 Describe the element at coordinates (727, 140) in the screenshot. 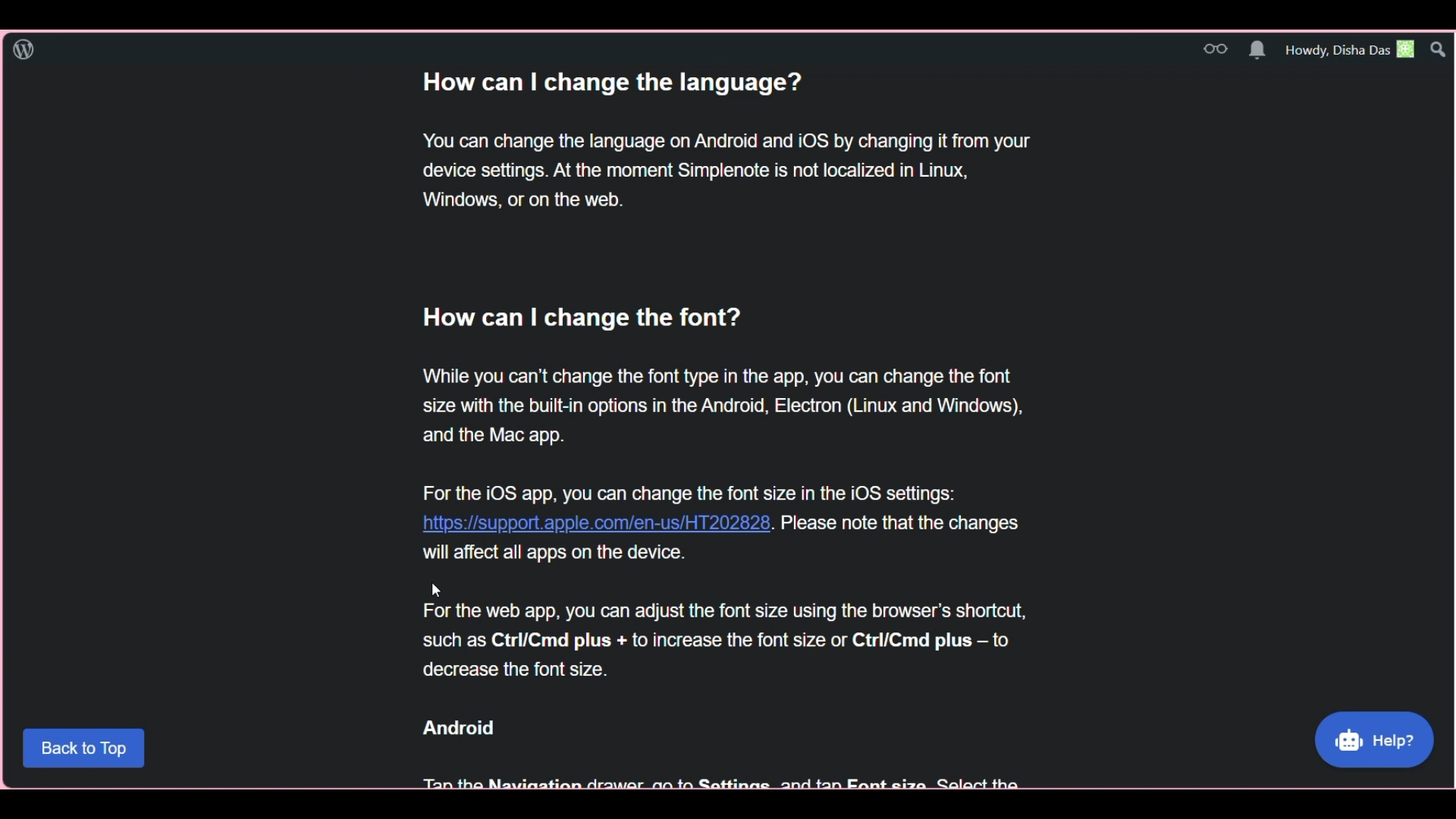

I see `How can | change the language?

You can change the language on Android and iOS by changing it from your
device settings. At the moment Simplenote is not localized in Linux,
Windows, or on the web.` at that location.